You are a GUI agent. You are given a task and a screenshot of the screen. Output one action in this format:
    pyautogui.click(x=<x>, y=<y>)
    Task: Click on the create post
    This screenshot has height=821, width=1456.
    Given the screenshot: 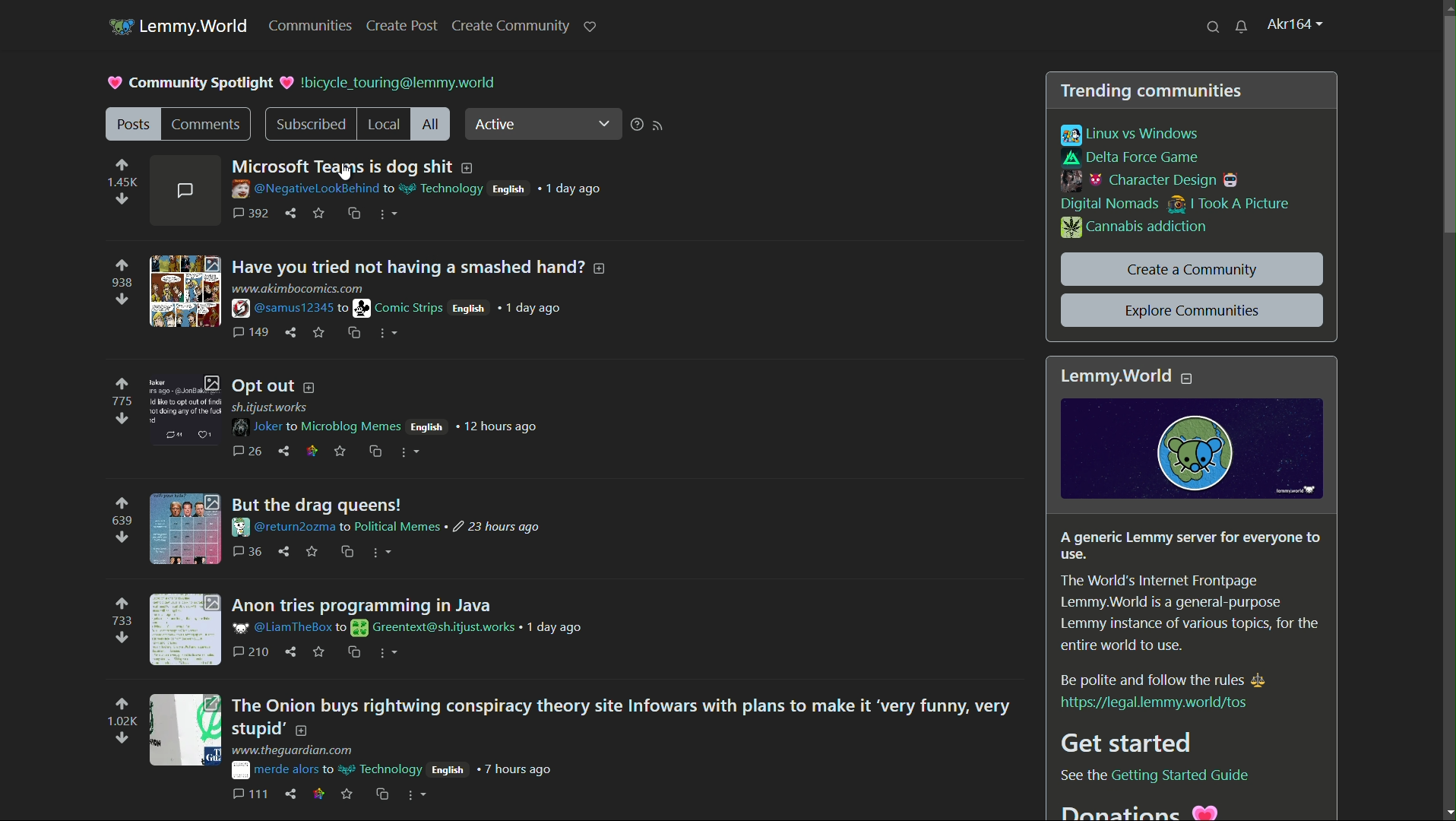 What is the action you would take?
    pyautogui.click(x=404, y=26)
    